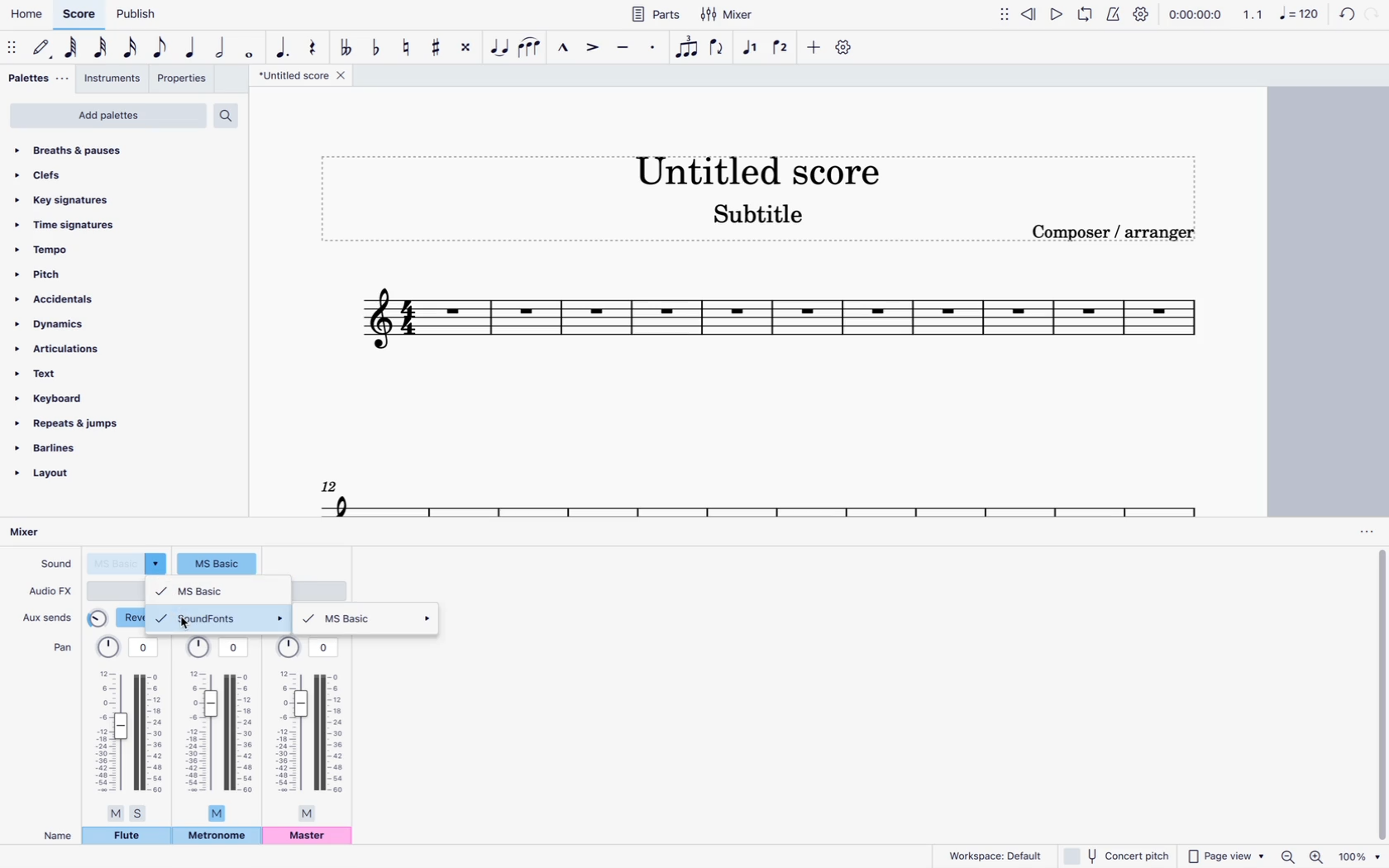 This screenshot has height=868, width=1389. I want to click on name, so click(58, 836).